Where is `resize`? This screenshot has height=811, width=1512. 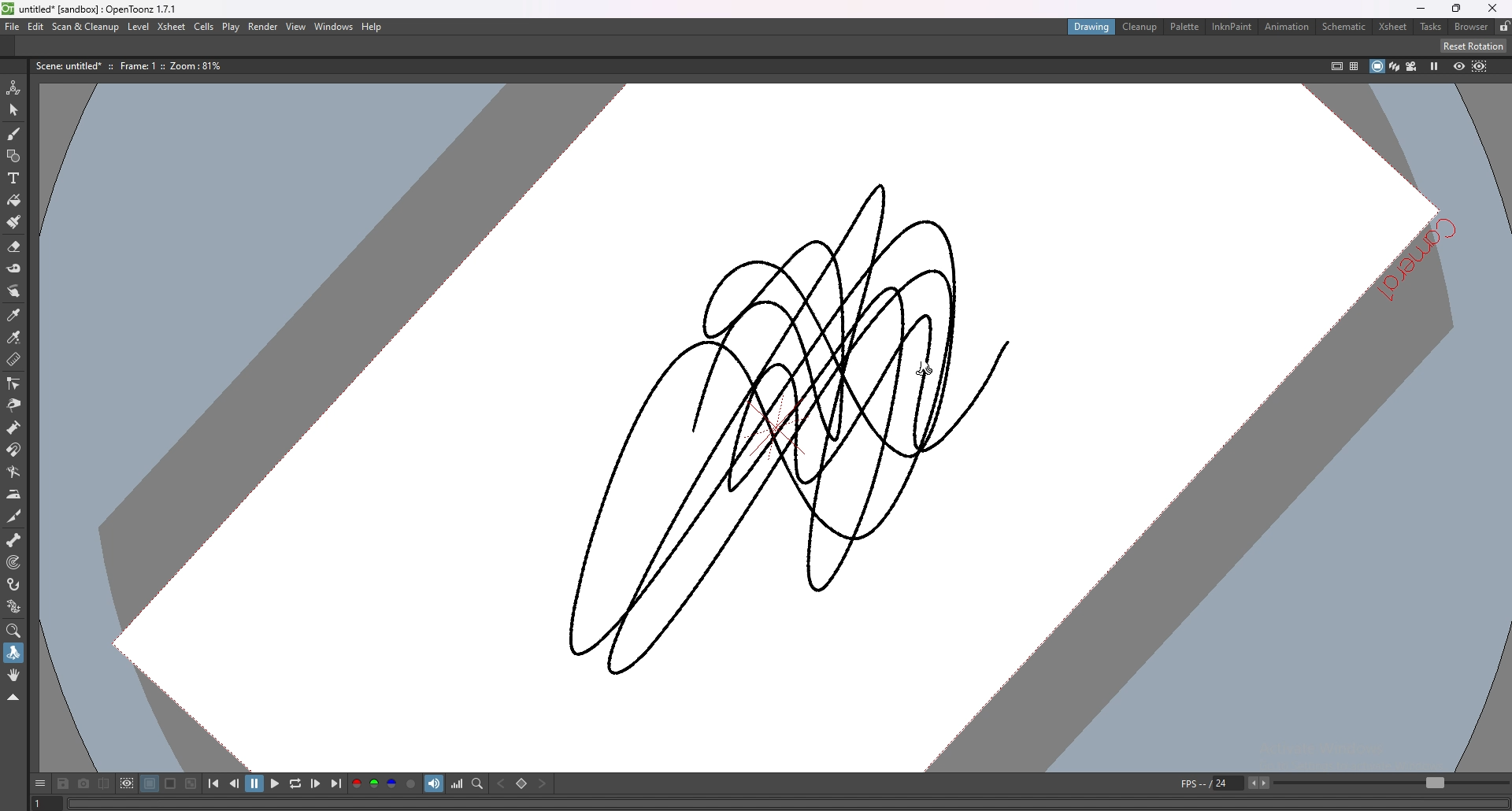
resize is located at coordinates (1457, 8).